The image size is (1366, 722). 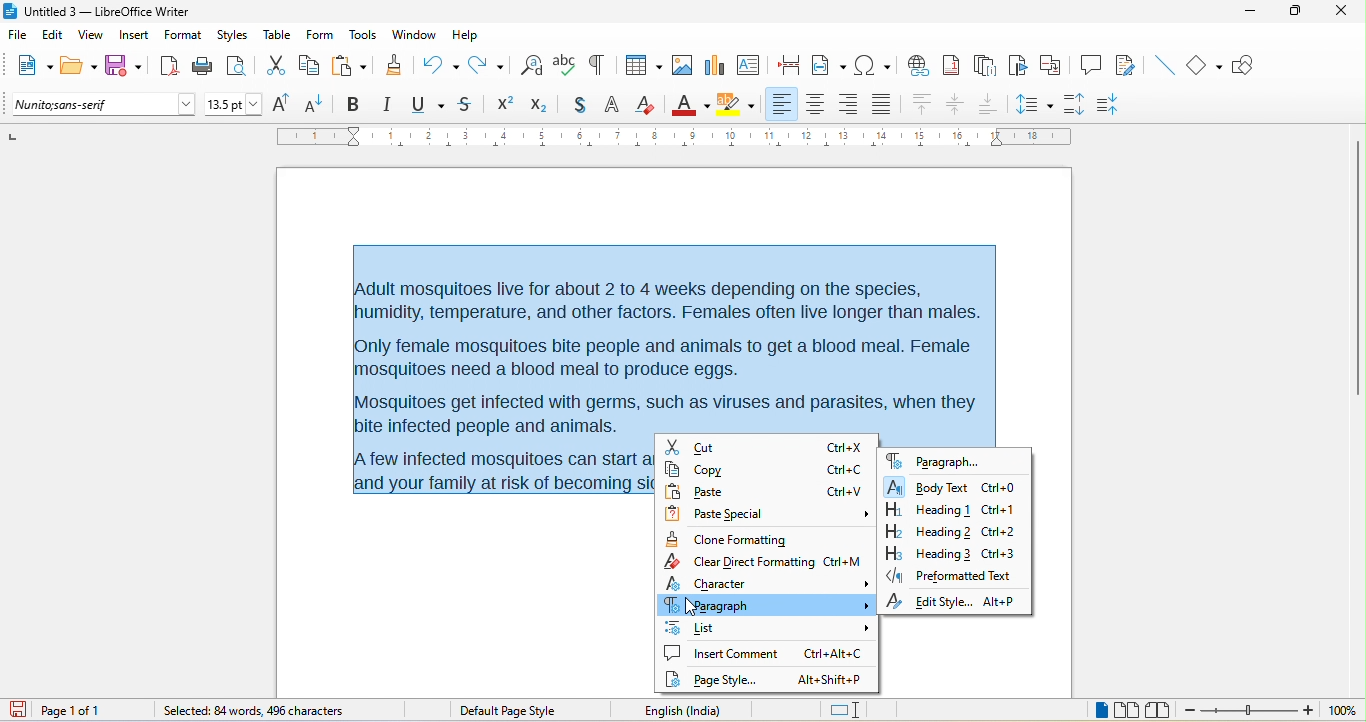 I want to click on styles, so click(x=234, y=36).